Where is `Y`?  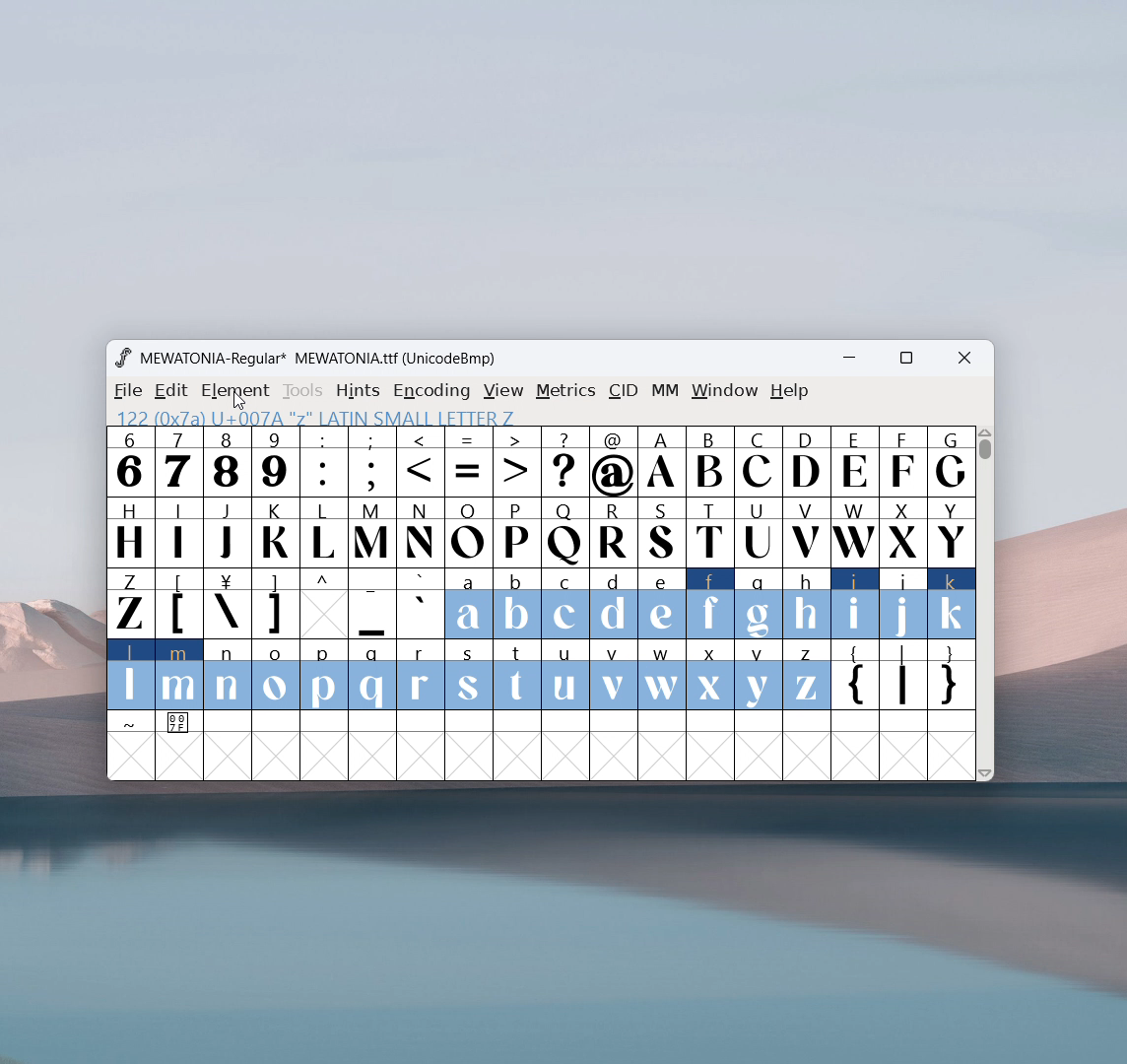
Y is located at coordinates (952, 531).